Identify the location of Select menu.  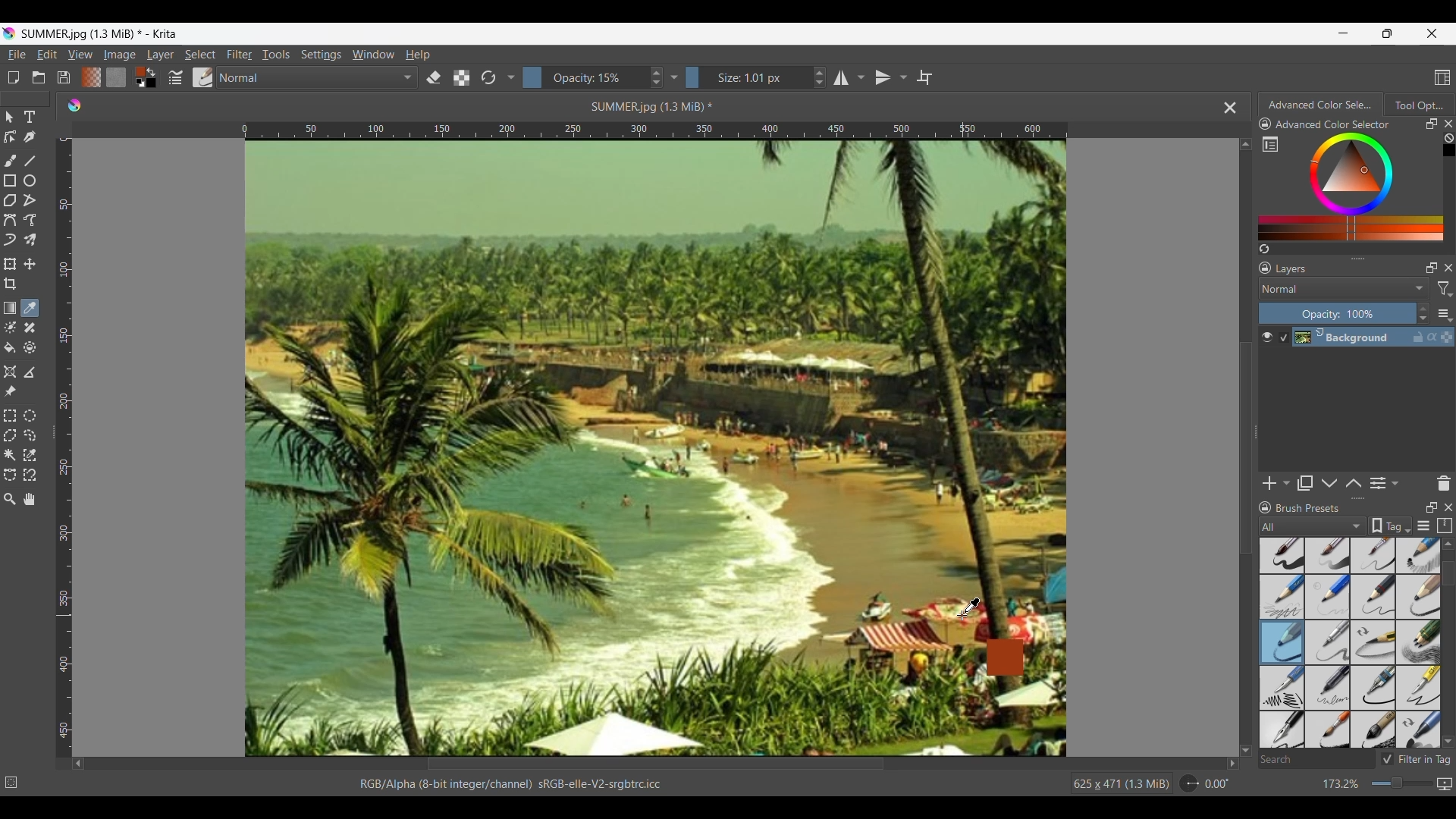
(200, 55).